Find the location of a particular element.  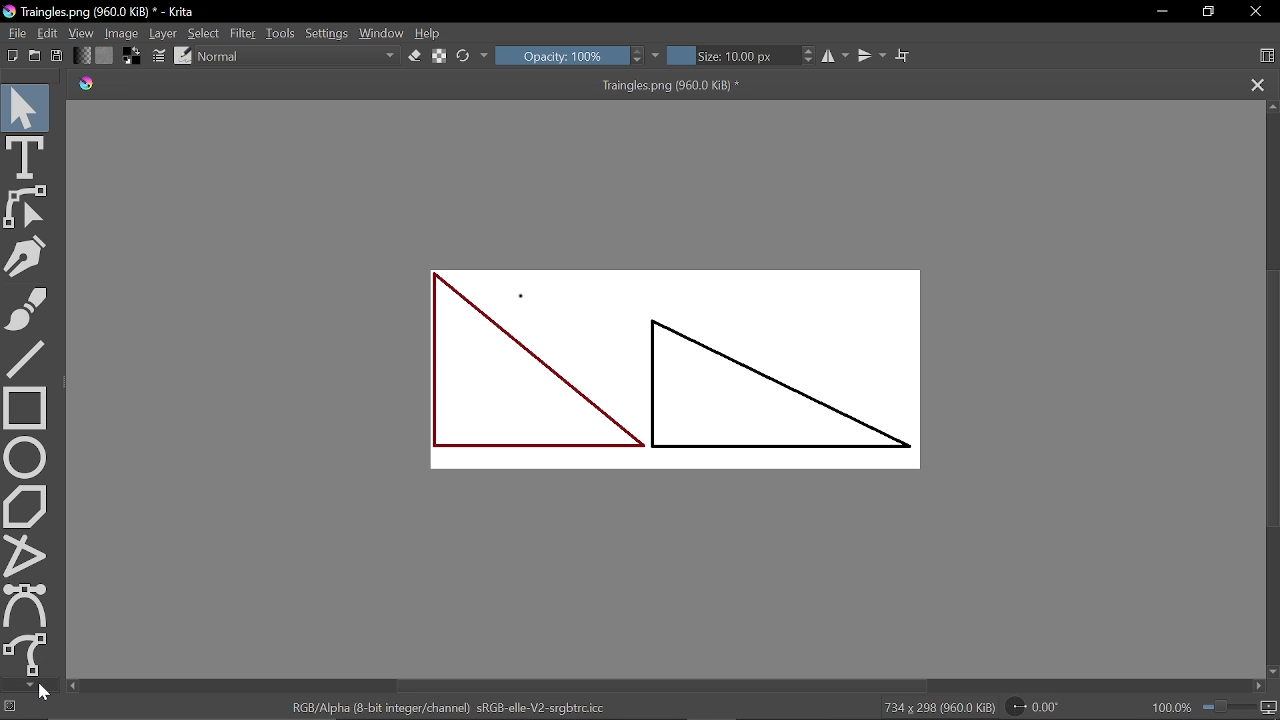

Settings is located at coordinates (328, 33).